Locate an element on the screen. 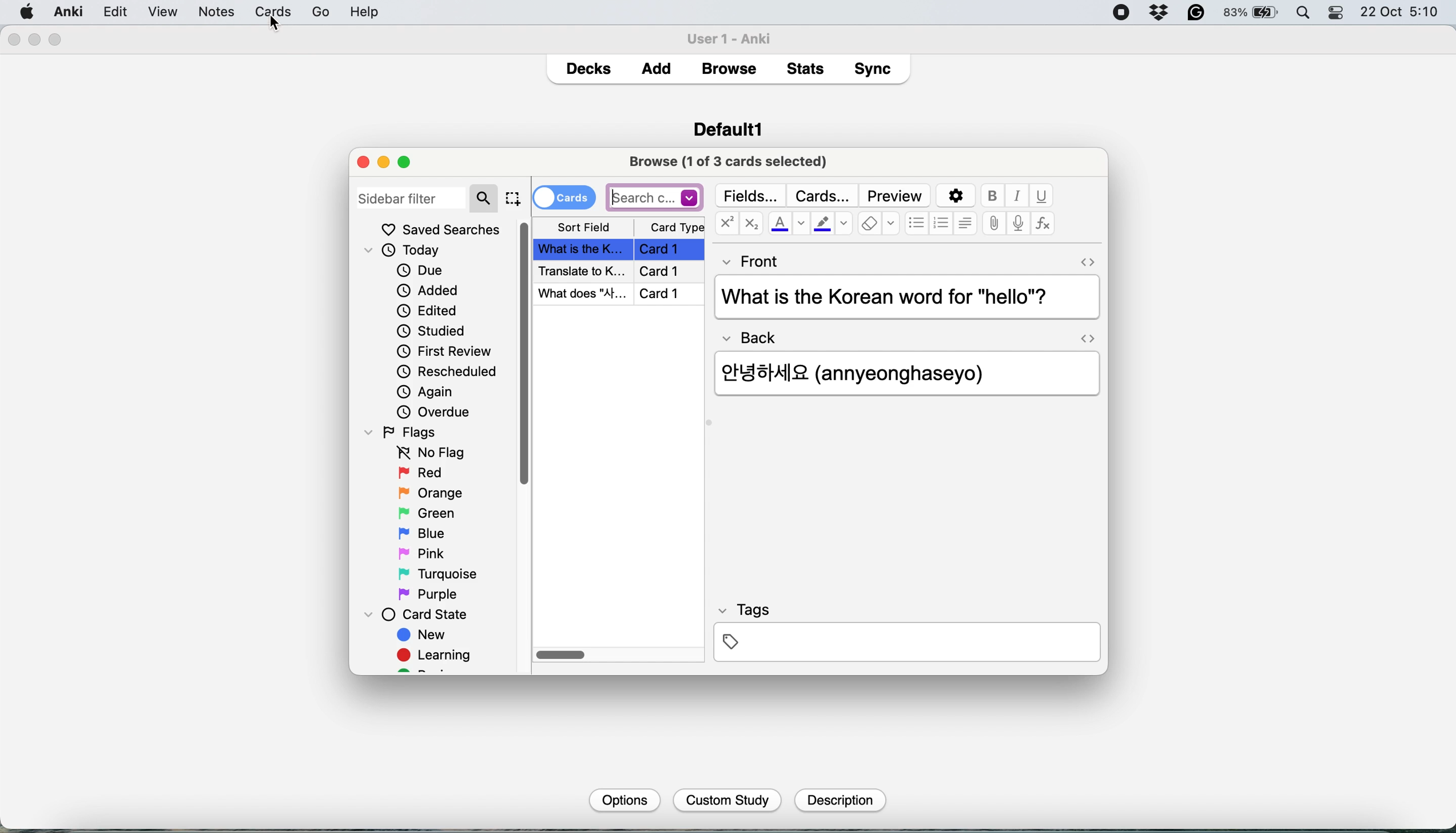  What is the K... Card 1
Translate toK... Card 1
What does "At... Card 1 is located at coordinates (621, 272).